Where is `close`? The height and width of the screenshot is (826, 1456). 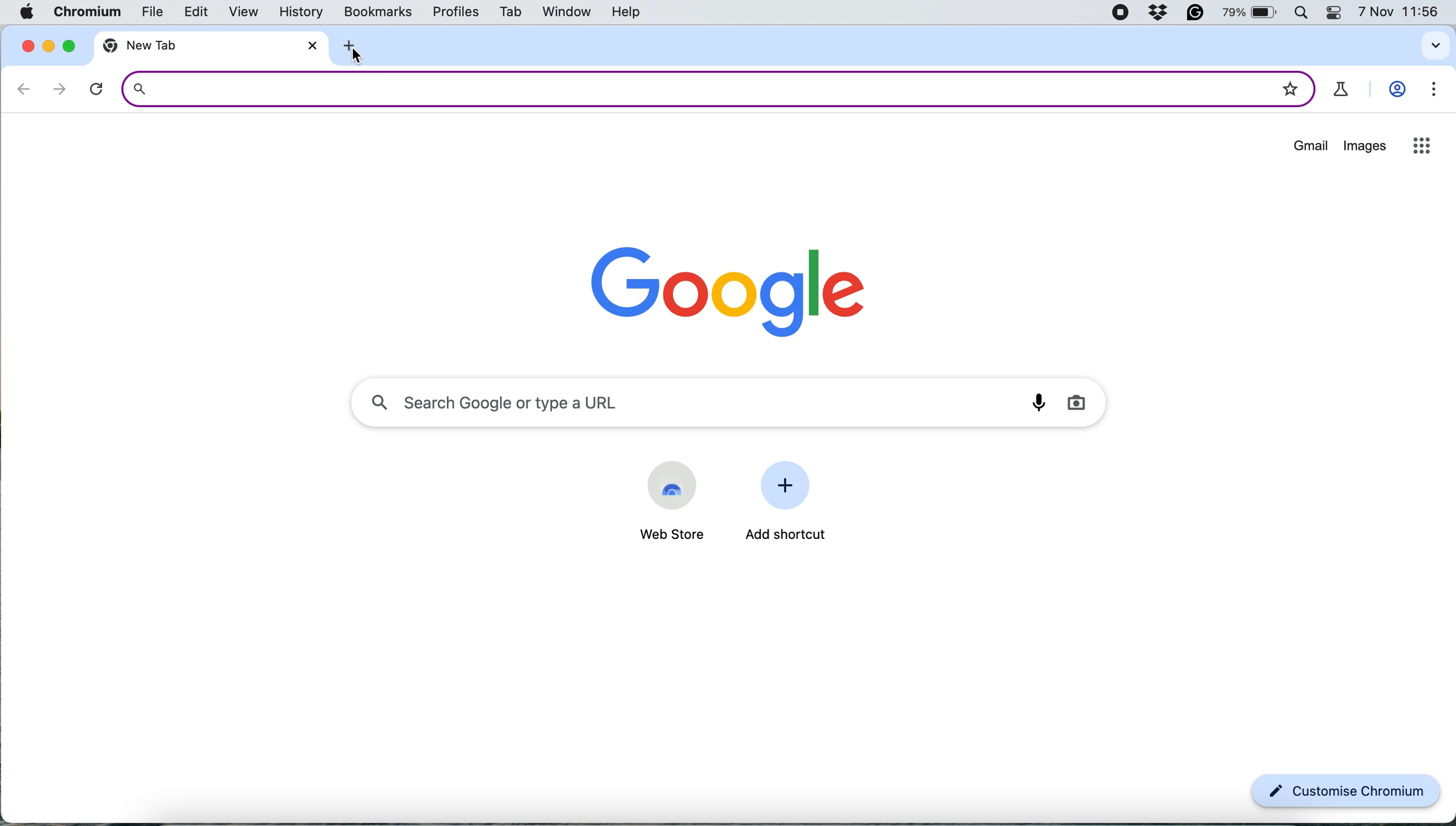
close is located at coordinates (25, 45).